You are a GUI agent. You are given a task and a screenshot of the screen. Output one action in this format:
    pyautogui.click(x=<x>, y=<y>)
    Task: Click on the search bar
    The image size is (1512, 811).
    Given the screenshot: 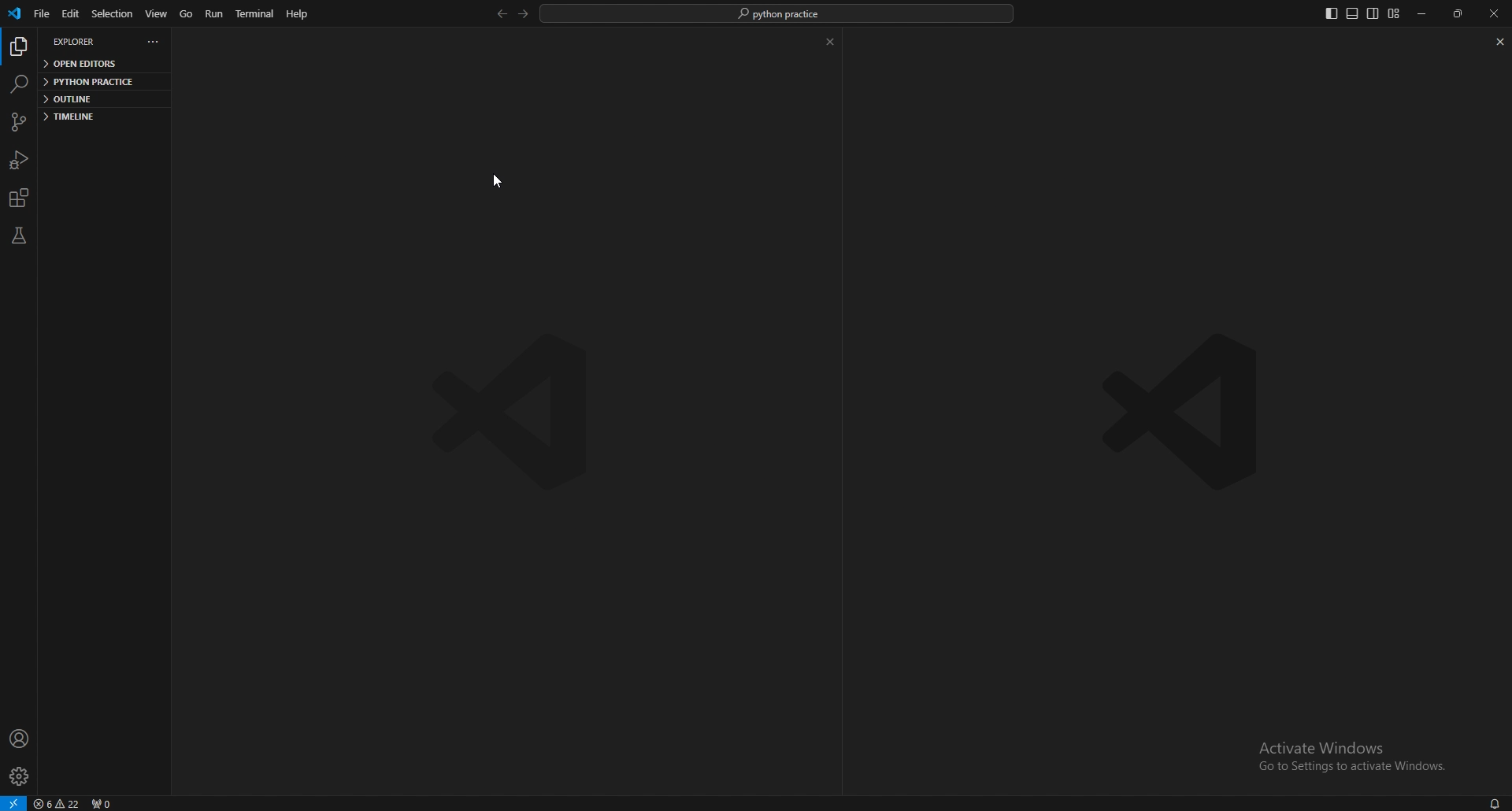 What is the action you would take?
    pyautogui.click(x=778, y=13)
    